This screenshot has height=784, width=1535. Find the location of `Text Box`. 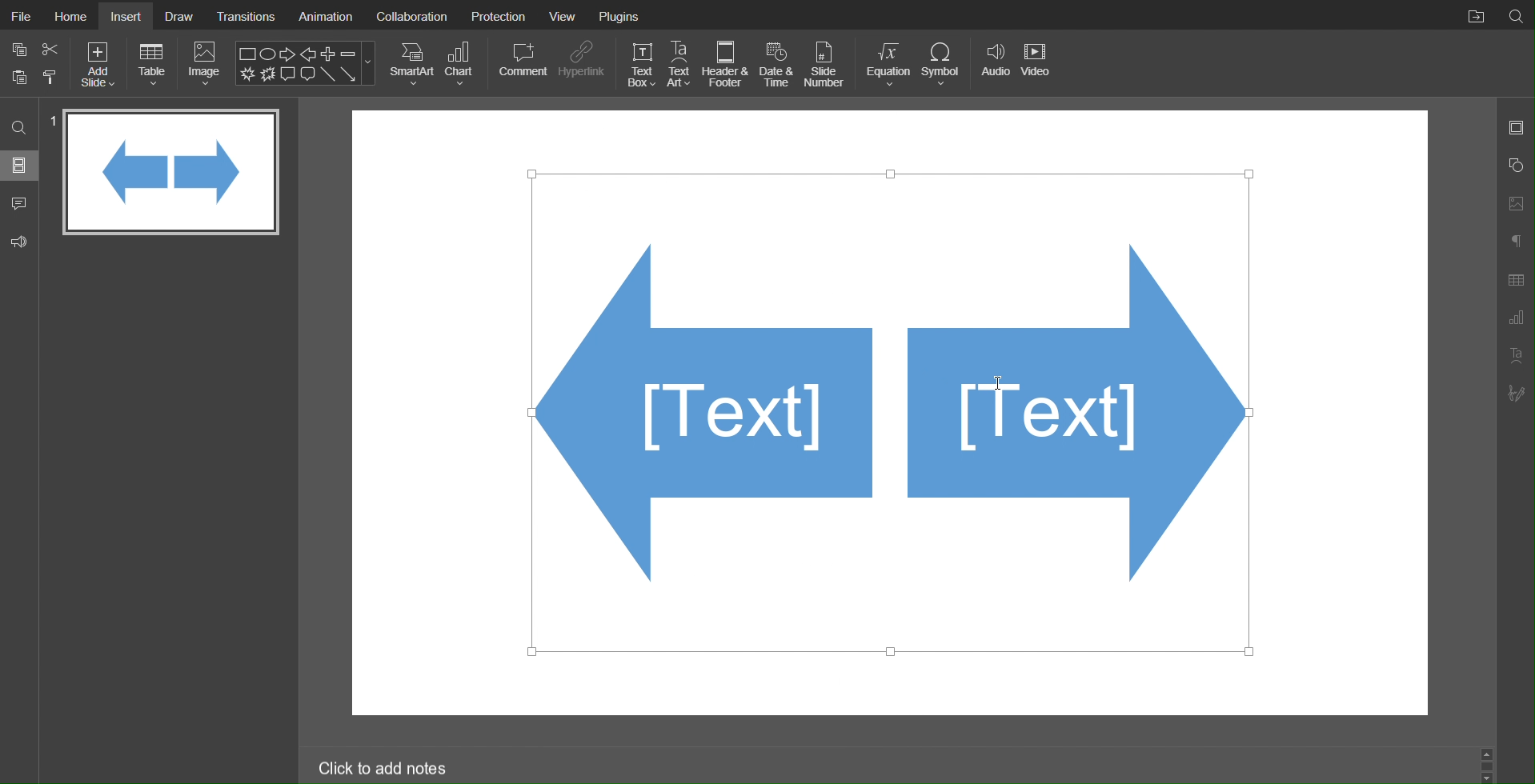

Text Box is located at coordinates (641, 64).